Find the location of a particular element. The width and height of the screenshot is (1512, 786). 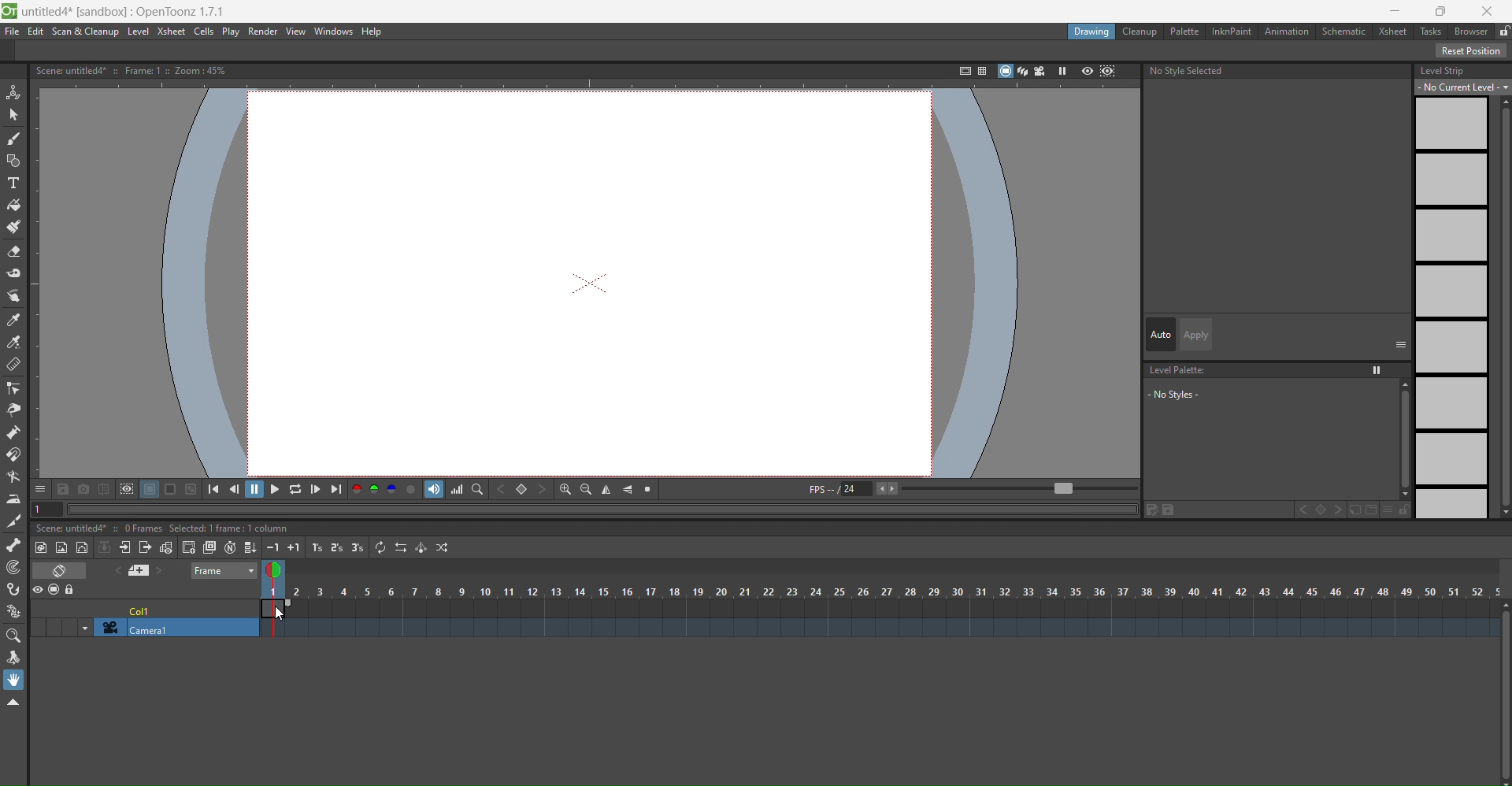

camera view is located at coordinates (1040, 71).